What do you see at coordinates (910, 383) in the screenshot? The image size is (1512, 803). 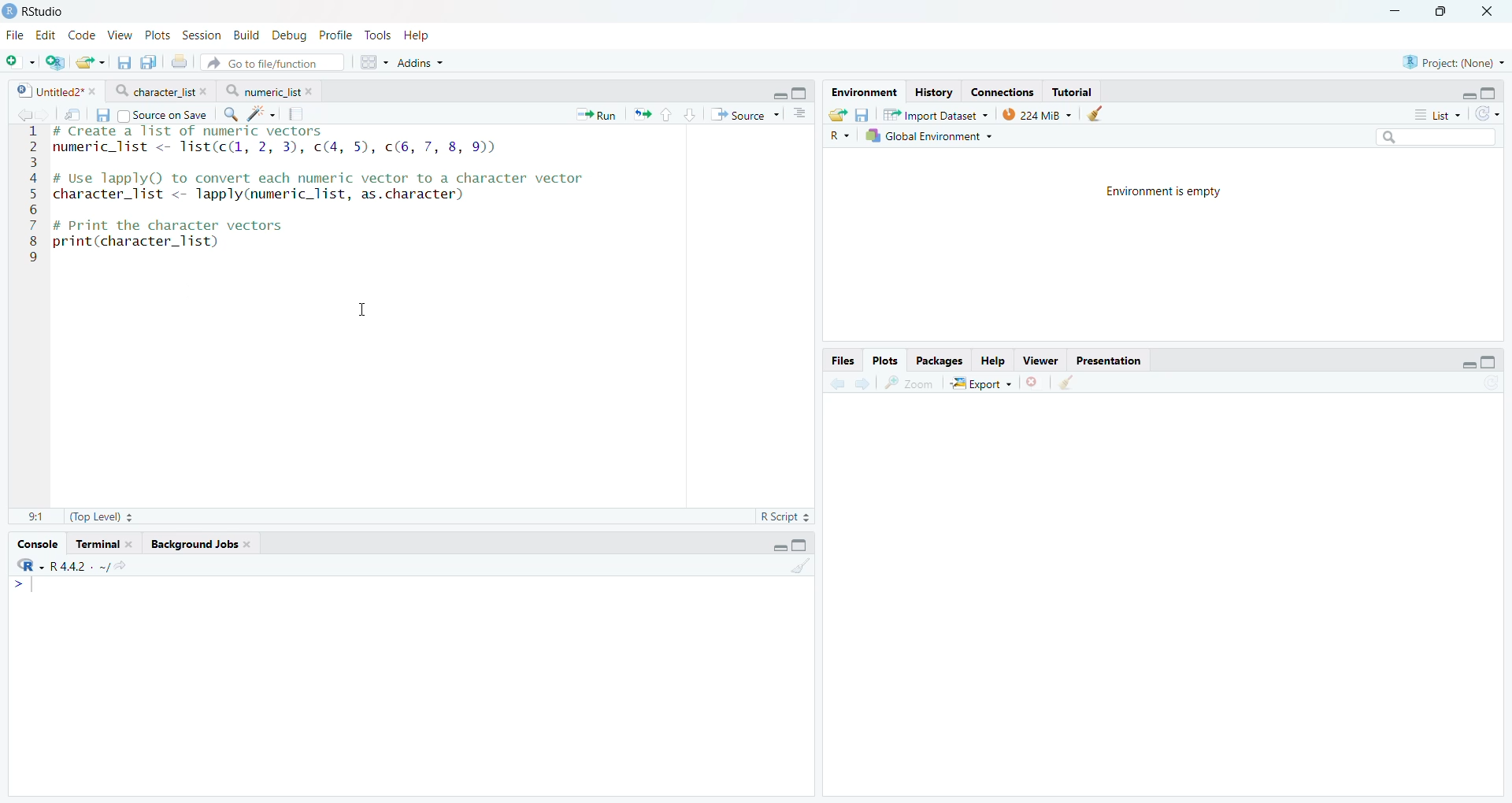 I see `Zoom` at bounding box center [910, 383].